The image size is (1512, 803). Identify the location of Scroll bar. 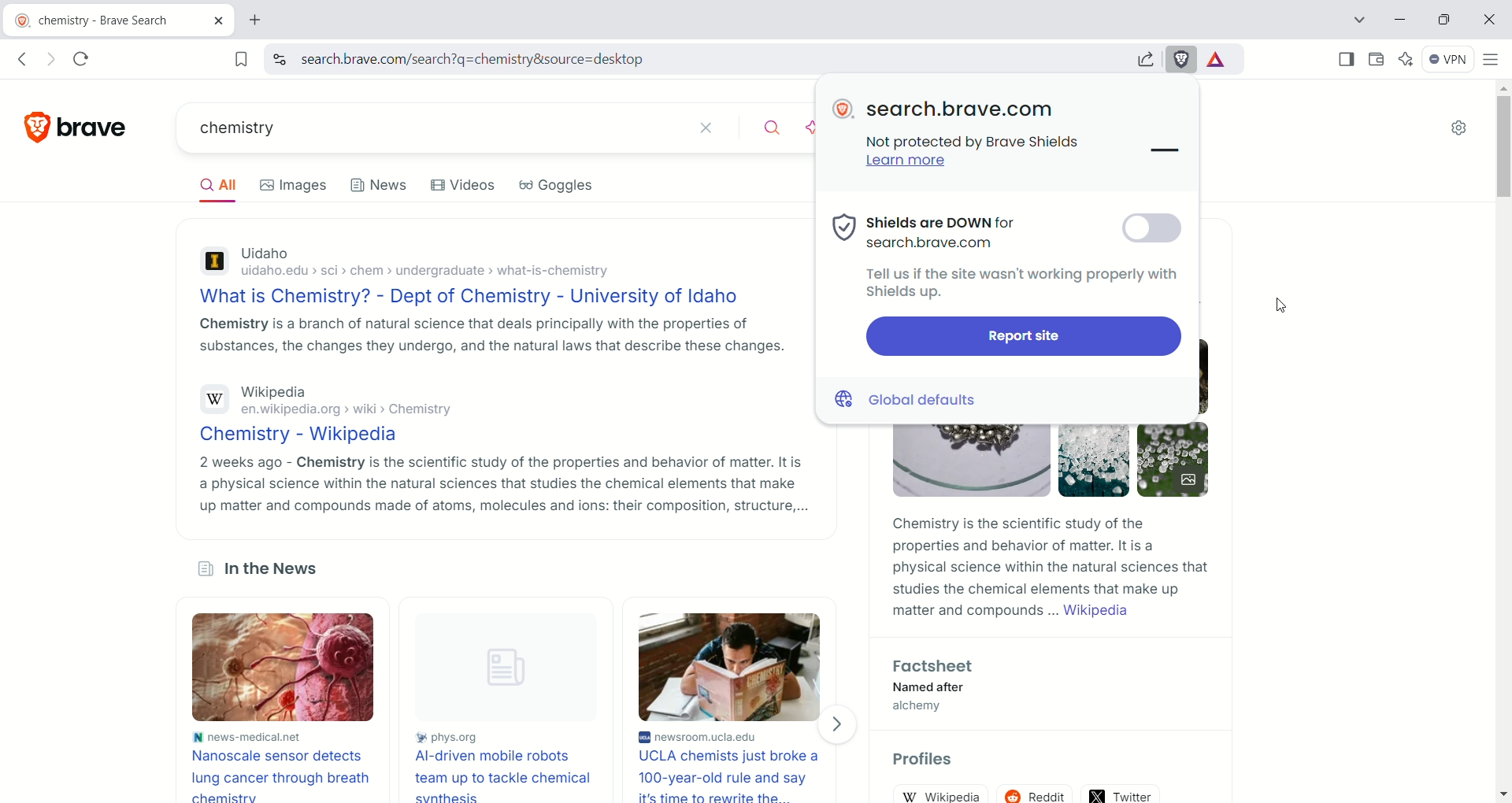
(1503, 145).